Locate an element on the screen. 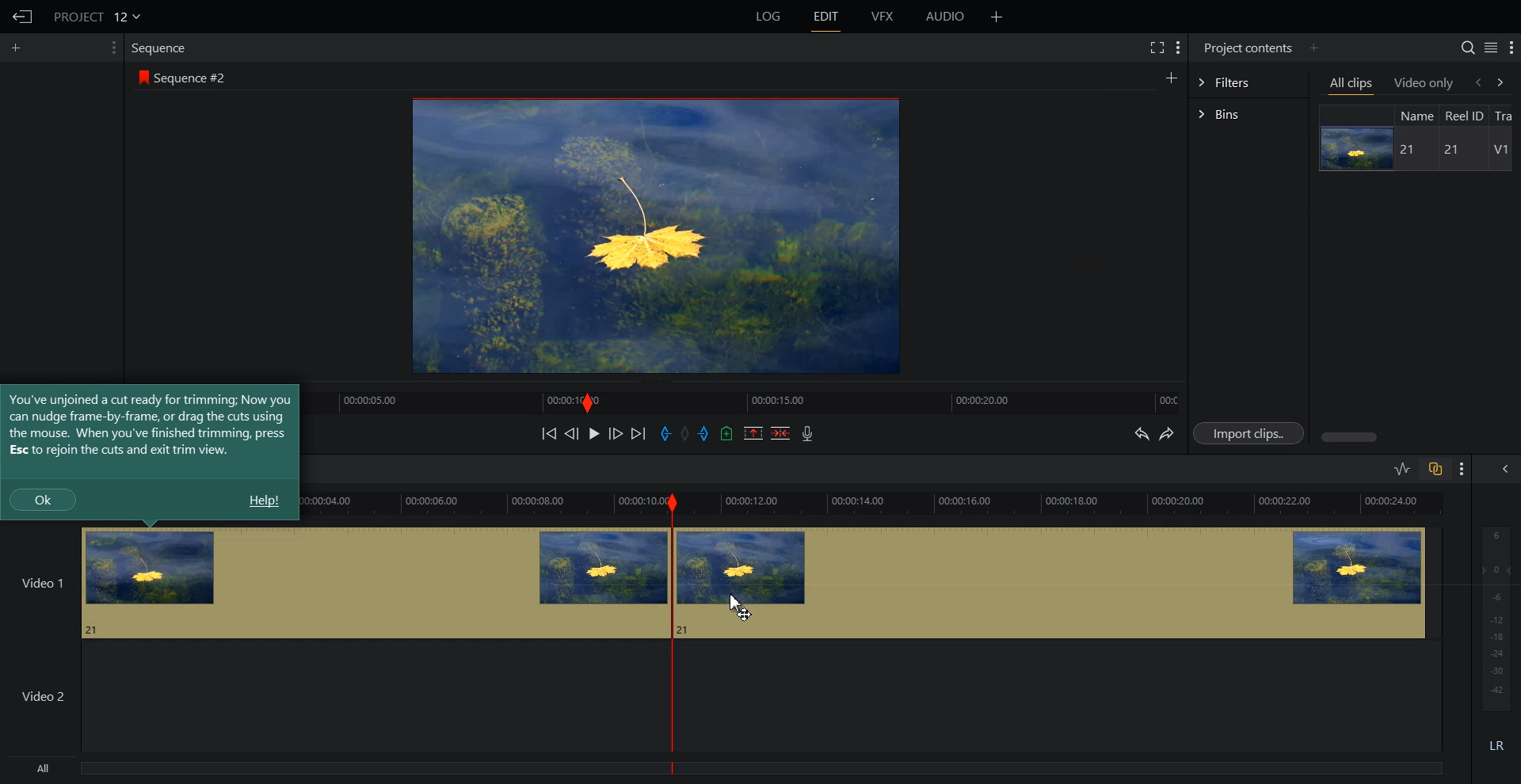 The height and width of the screenshot is (784, 1521). Show Setting Menu is located at coordinates (1179, 49).